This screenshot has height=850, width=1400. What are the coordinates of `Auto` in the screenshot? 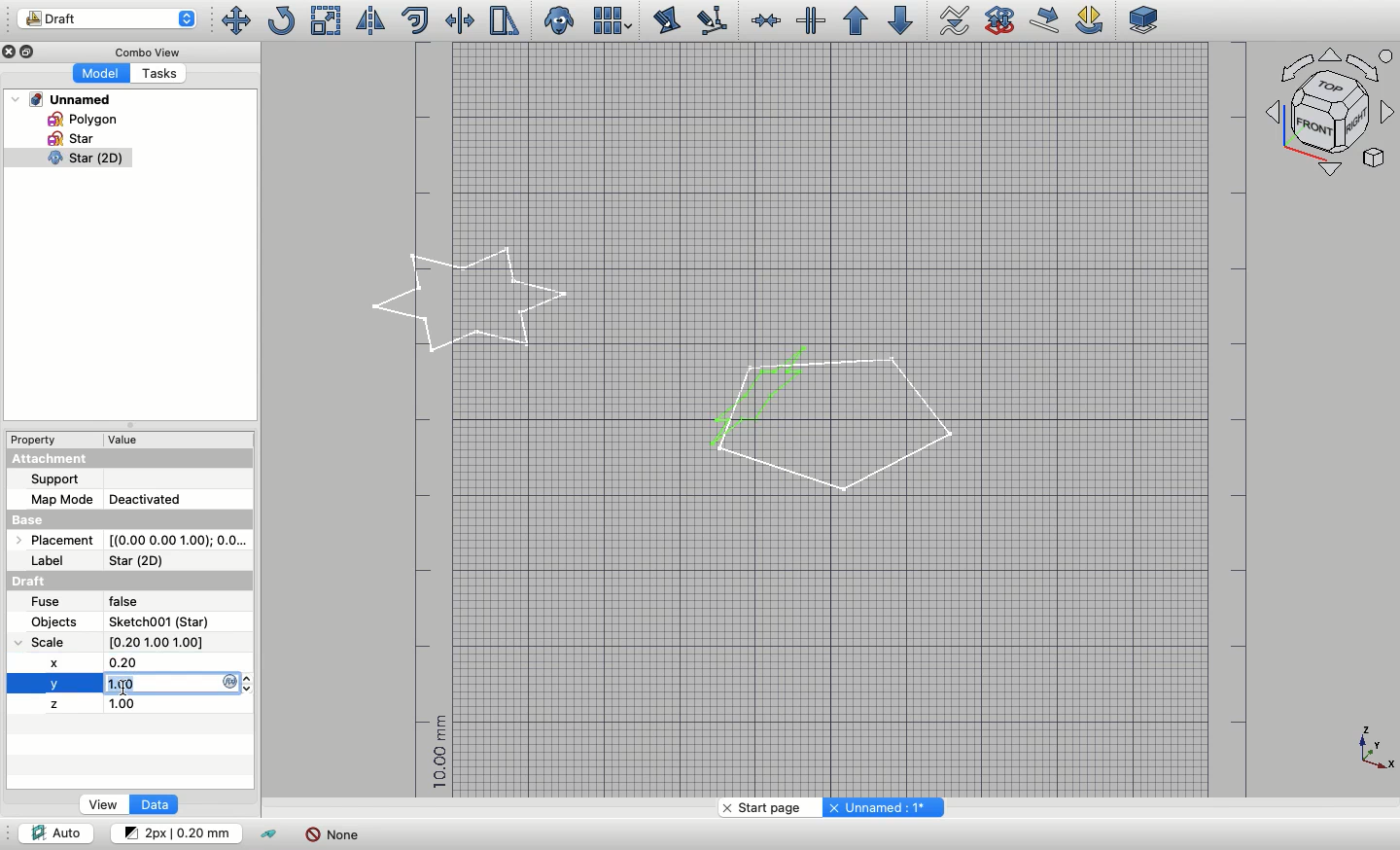 It's located at (55, 832).